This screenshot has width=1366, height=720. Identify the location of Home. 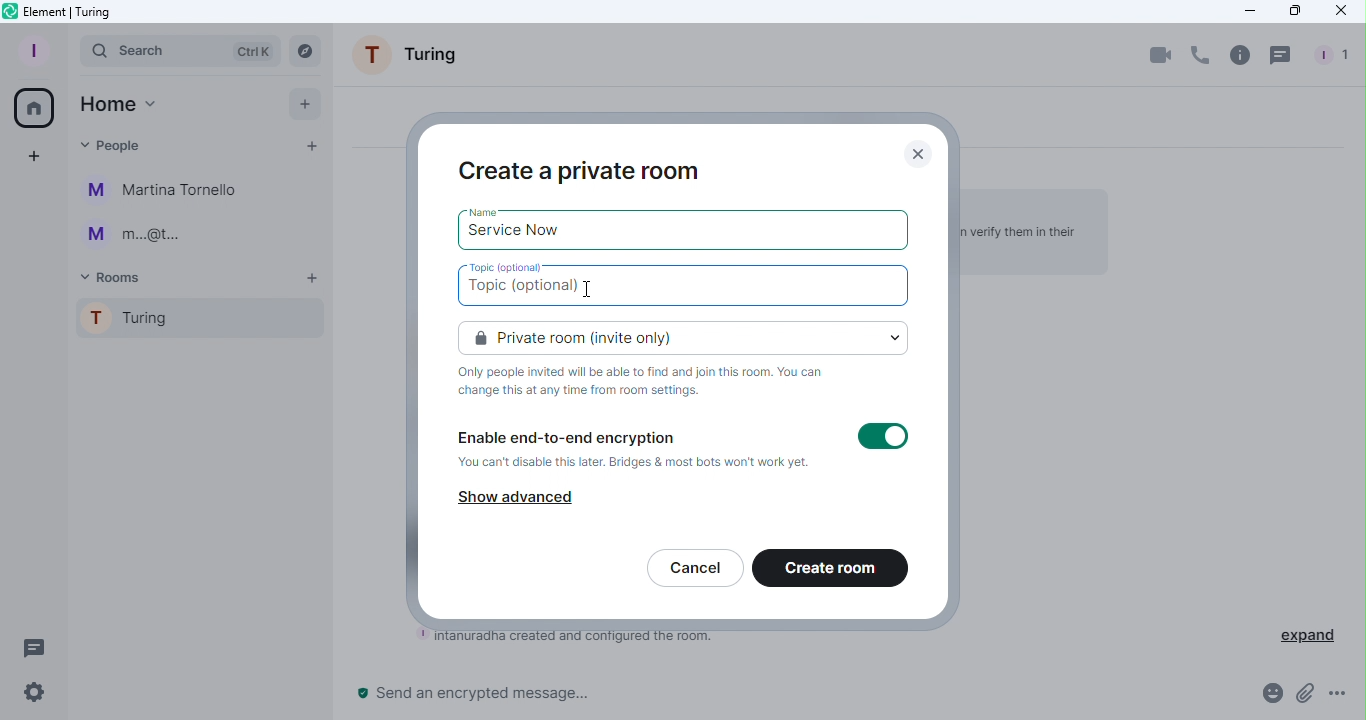
(118, 104).